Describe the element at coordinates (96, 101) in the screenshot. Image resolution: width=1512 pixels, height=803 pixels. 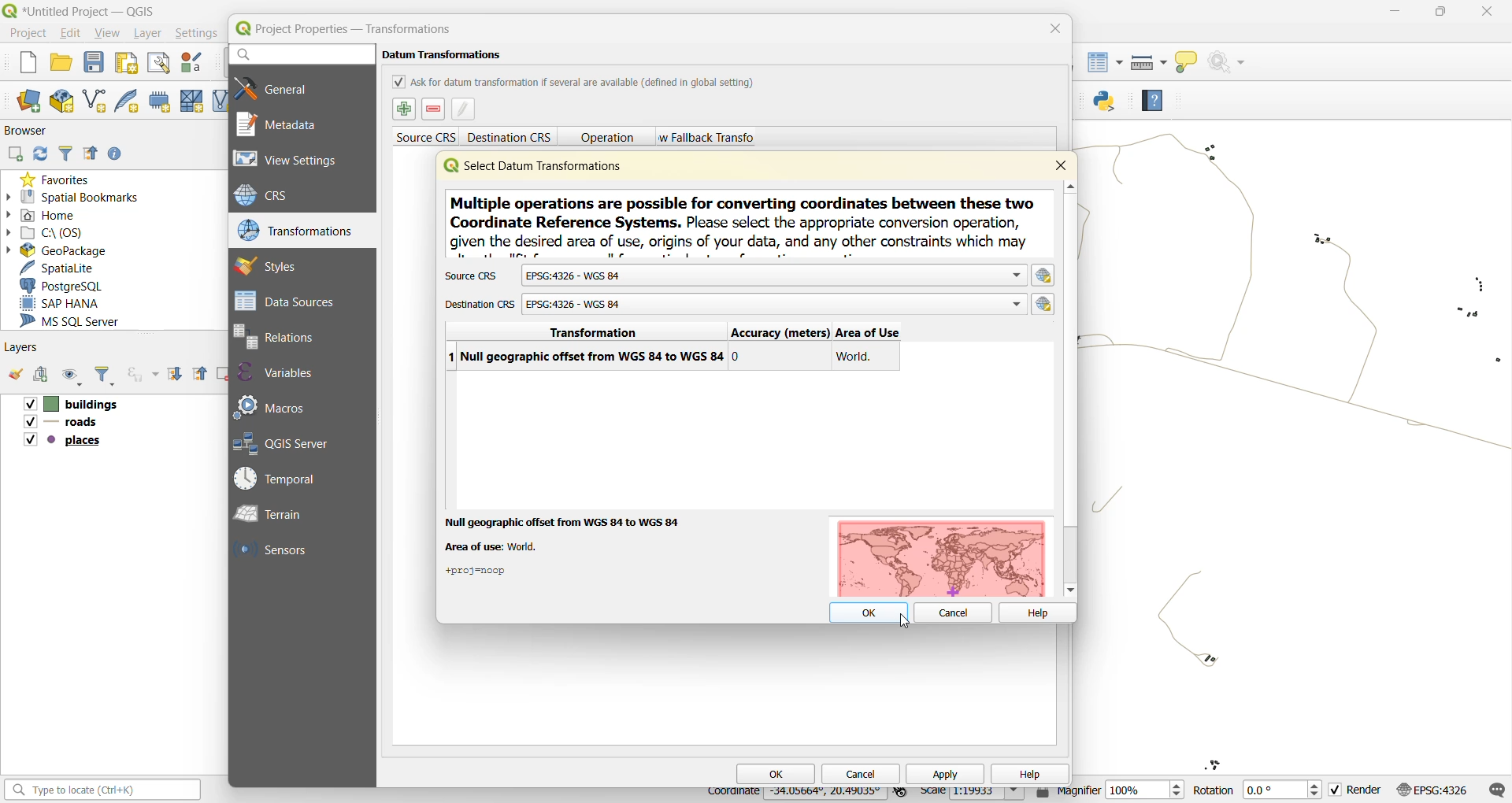
I see `new shapefile` at that location.